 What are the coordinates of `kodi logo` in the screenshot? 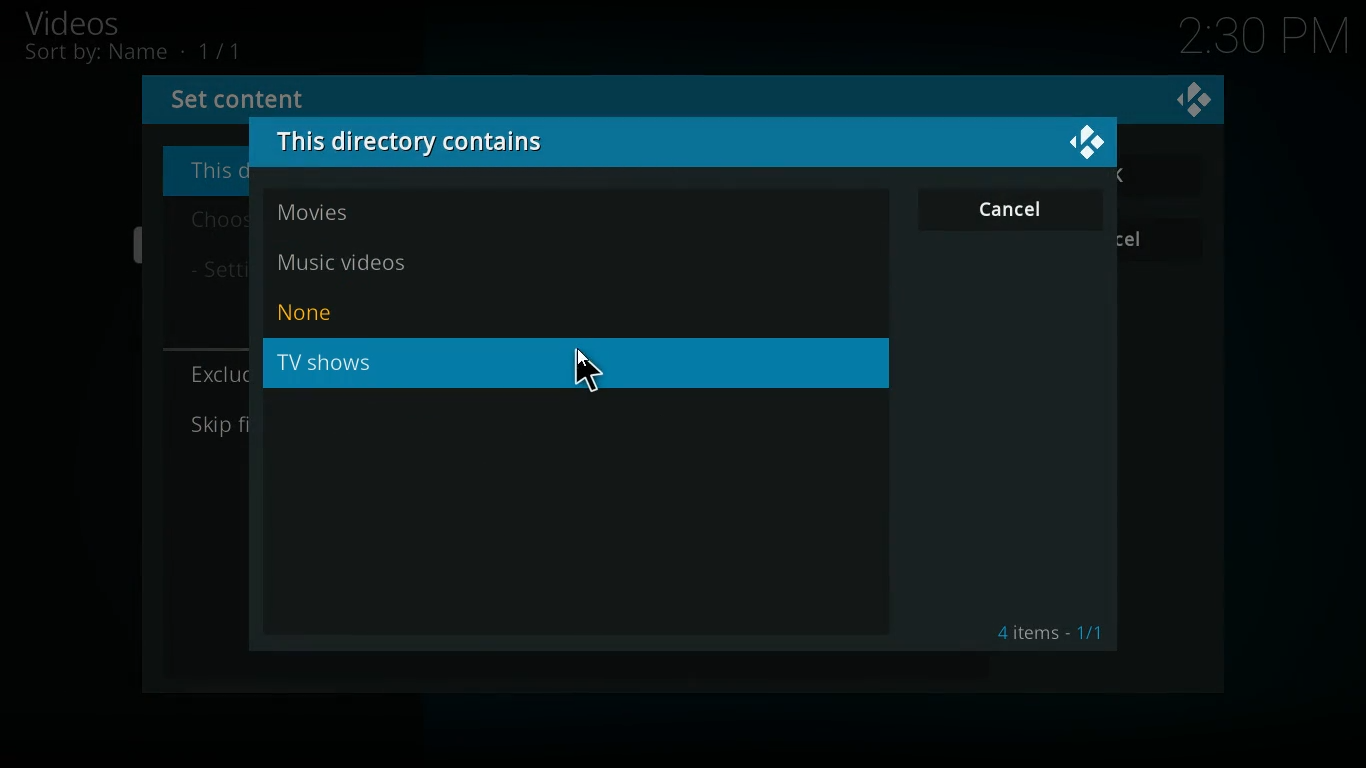 It's located at (1194, 100).